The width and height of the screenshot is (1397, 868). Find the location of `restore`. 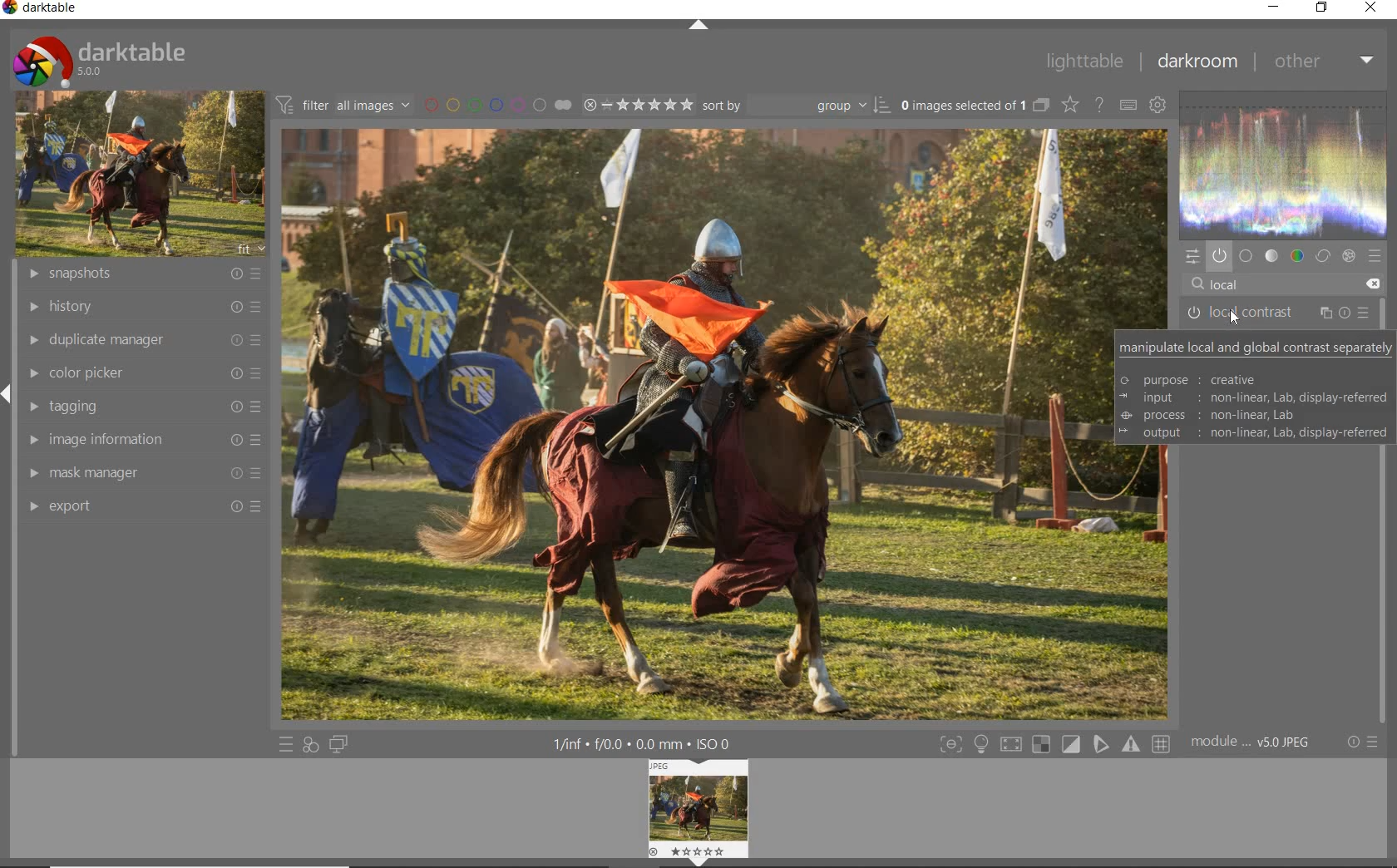

restore is located at coordinates (1323, 10).